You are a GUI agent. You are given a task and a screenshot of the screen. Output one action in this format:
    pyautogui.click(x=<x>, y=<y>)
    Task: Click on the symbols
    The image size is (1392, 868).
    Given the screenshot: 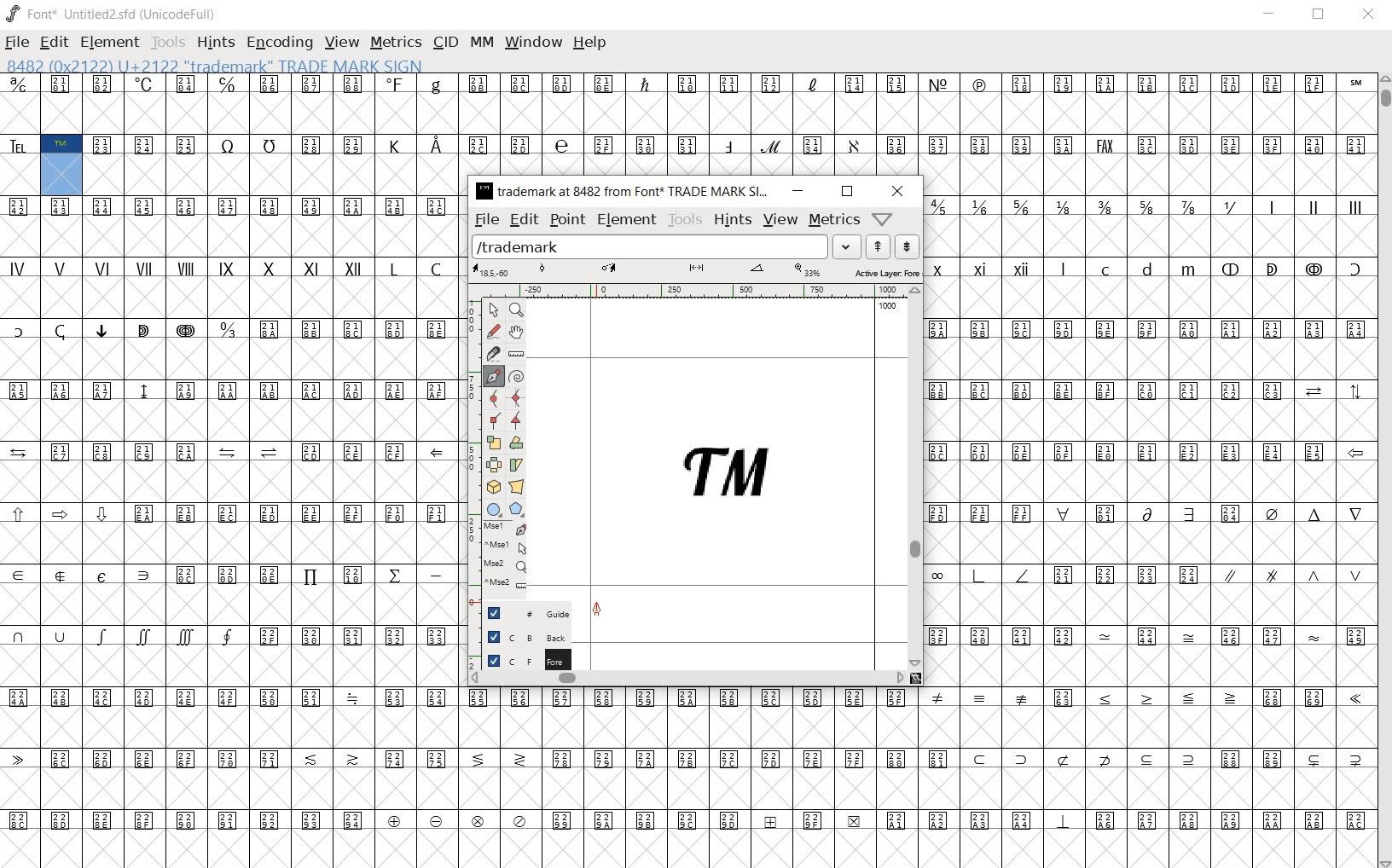 What is the action you would take?
    pyautogui.click(x=1151, y=605)
    